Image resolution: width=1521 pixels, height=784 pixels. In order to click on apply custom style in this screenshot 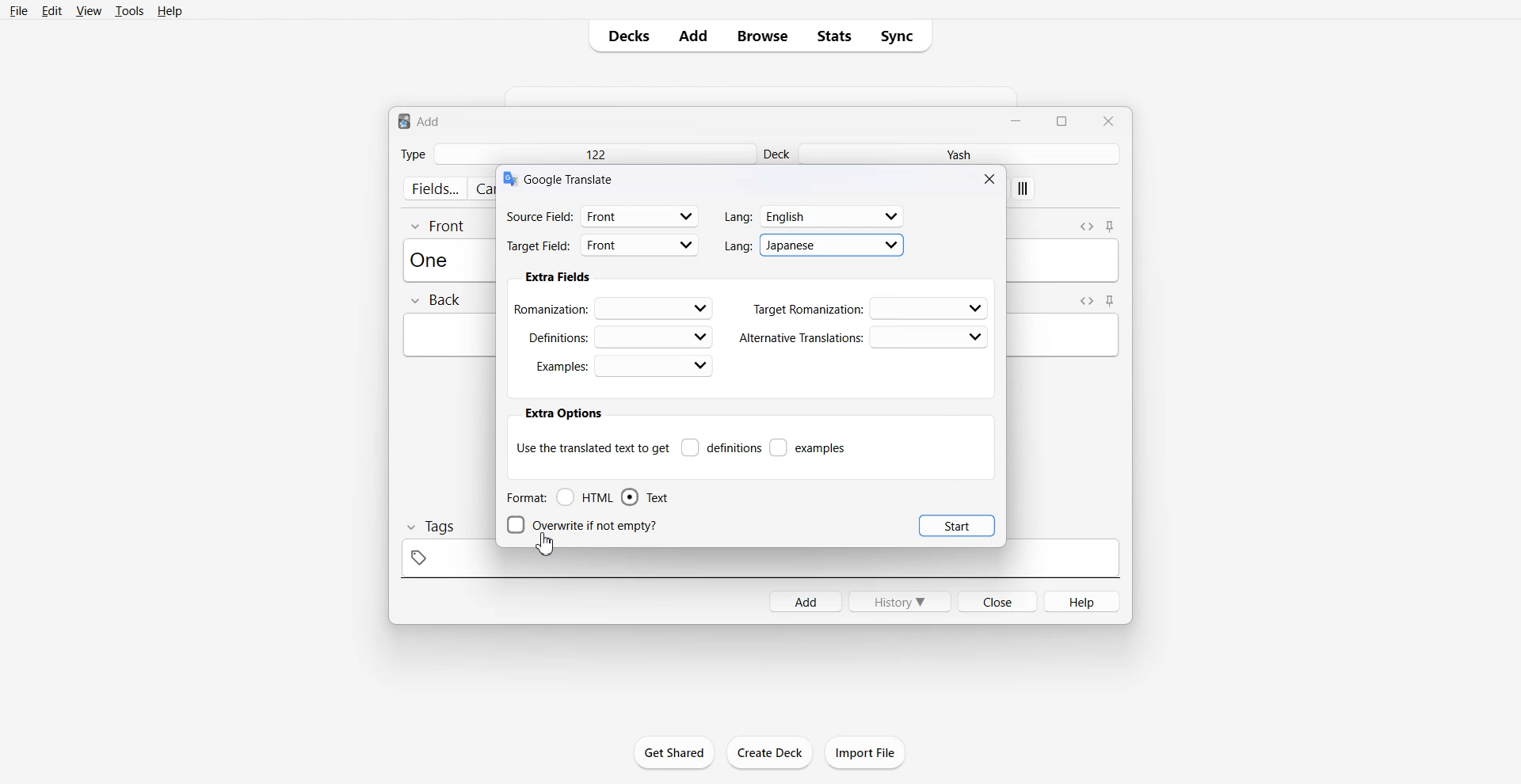, I will do `click(1024, 190)`.